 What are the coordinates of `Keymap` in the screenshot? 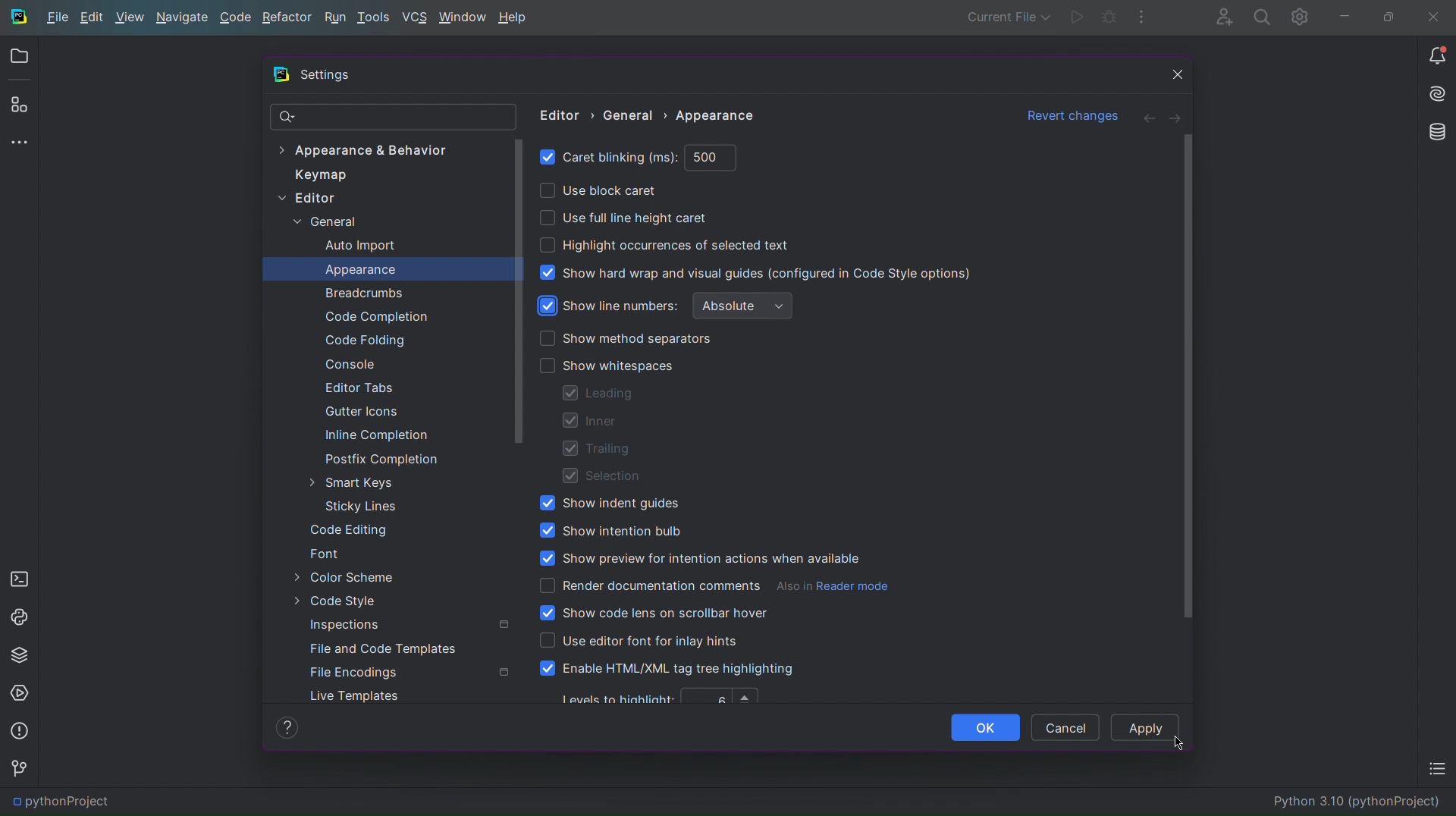 It's located at (318, 175).